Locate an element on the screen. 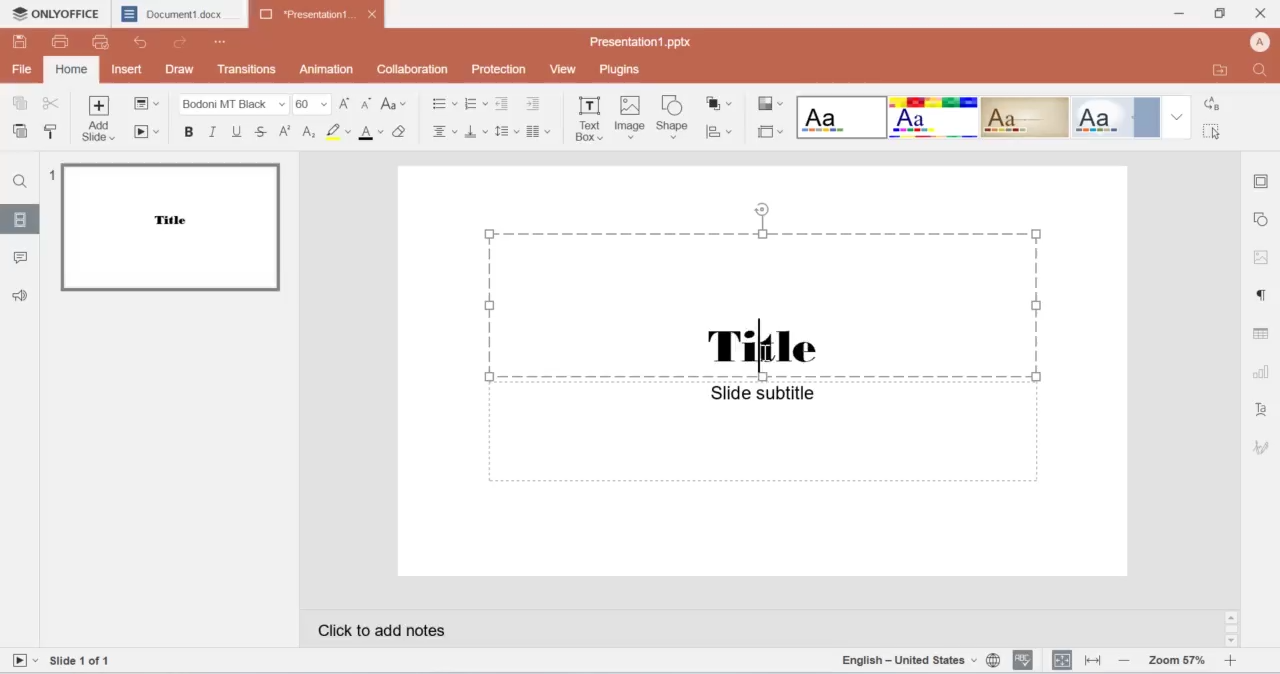 The width and height of the screenshot is (1280, 674). numbered list is located at coordinates (477, 103).